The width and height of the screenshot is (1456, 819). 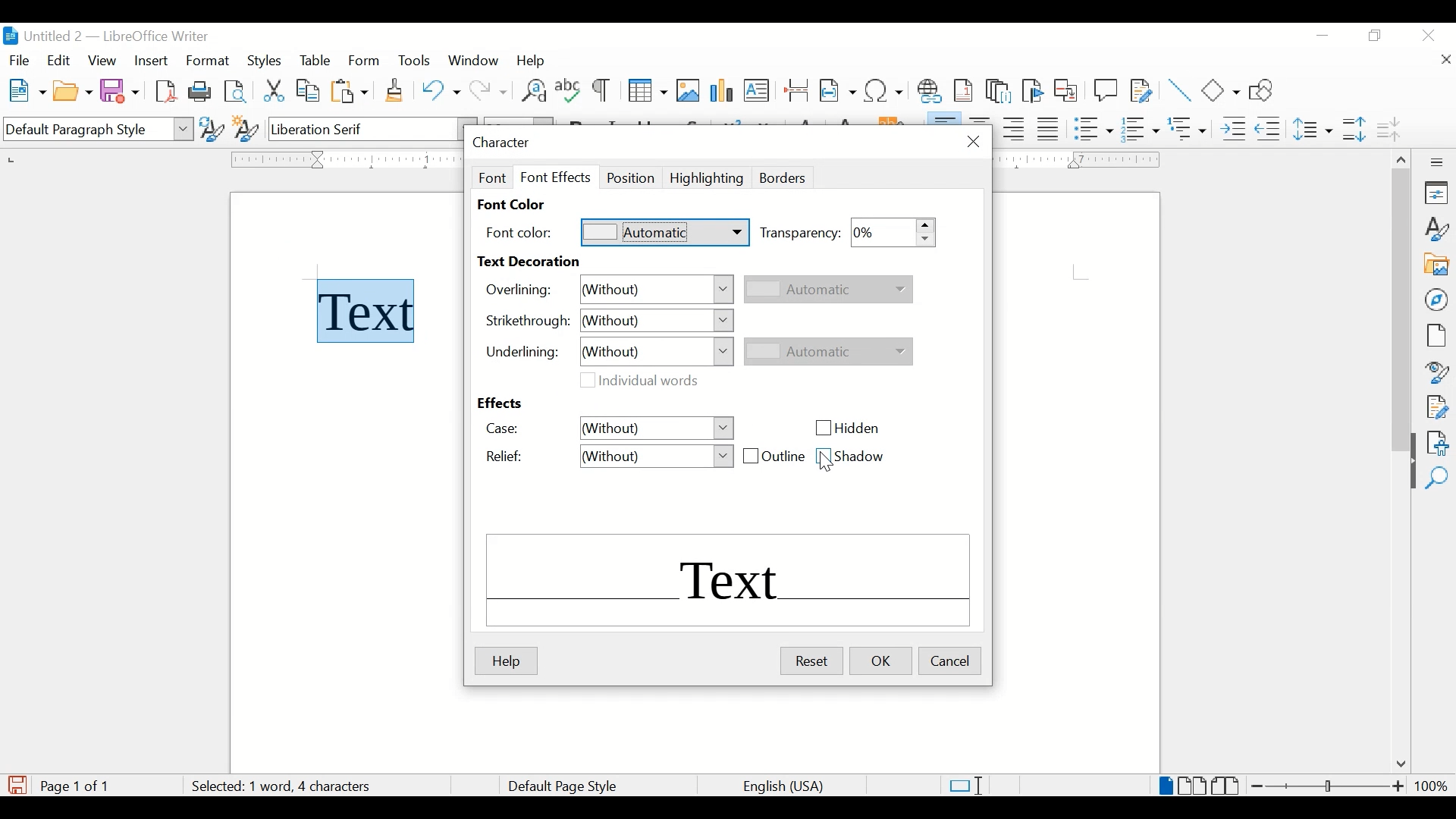 What do you see at coordinates (1314, 129) in the screenshot?
I see `set line spacing` at bounding box center [1314, 129].